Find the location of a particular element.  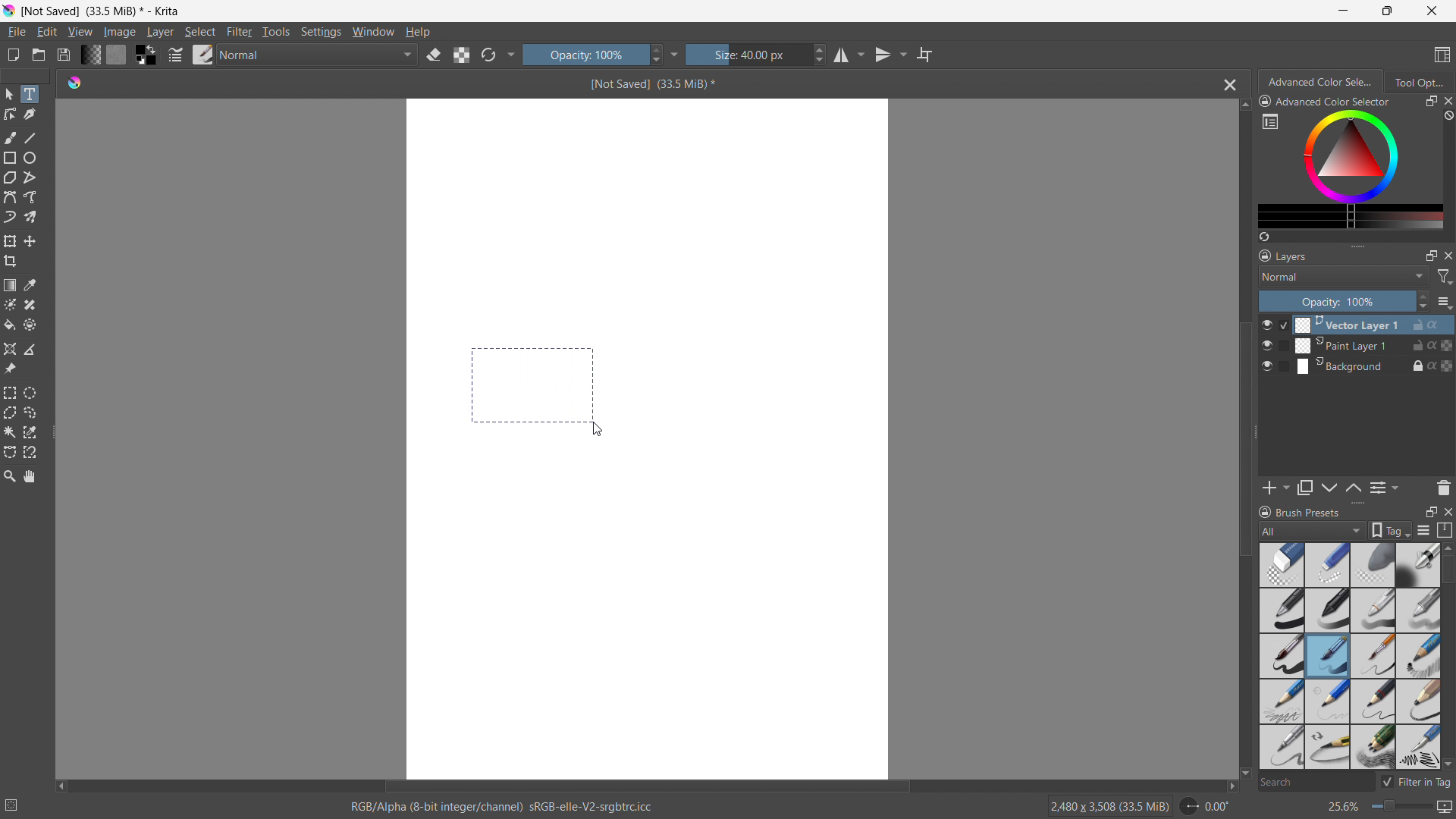

polyline tool is located at coordinates (30, 179).